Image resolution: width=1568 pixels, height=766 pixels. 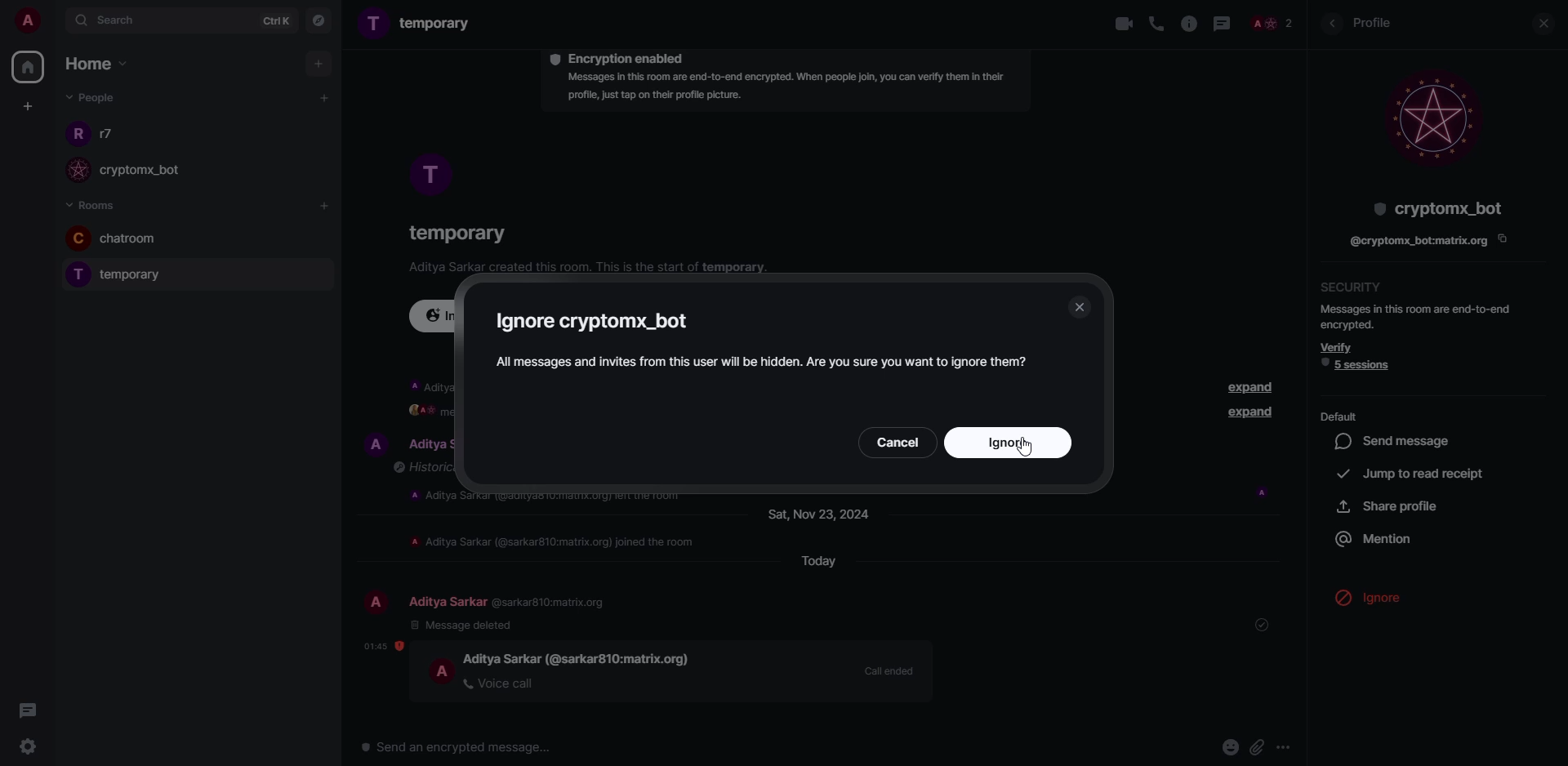 What do you see at coordinates (1290, 746) in the screenshot?
I see `more` at bounding box center [1290, 746].